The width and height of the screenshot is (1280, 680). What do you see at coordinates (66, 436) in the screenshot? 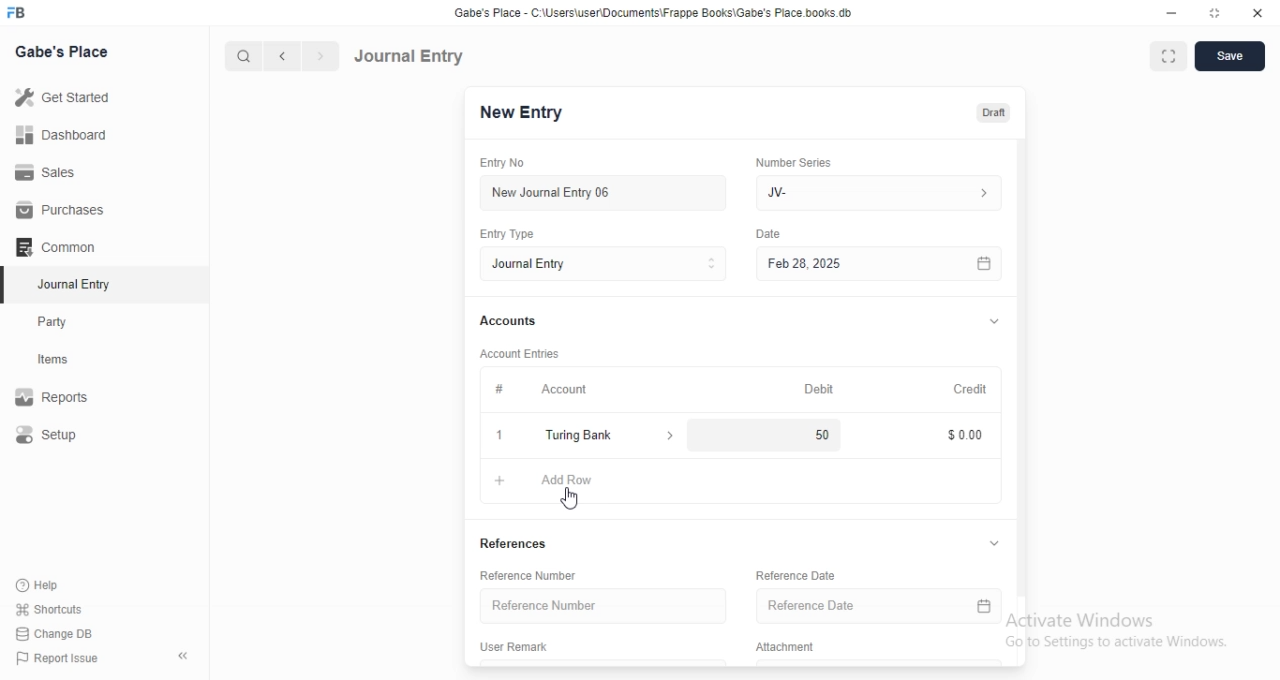
I see `Setup` at bounding box center [66, 436].